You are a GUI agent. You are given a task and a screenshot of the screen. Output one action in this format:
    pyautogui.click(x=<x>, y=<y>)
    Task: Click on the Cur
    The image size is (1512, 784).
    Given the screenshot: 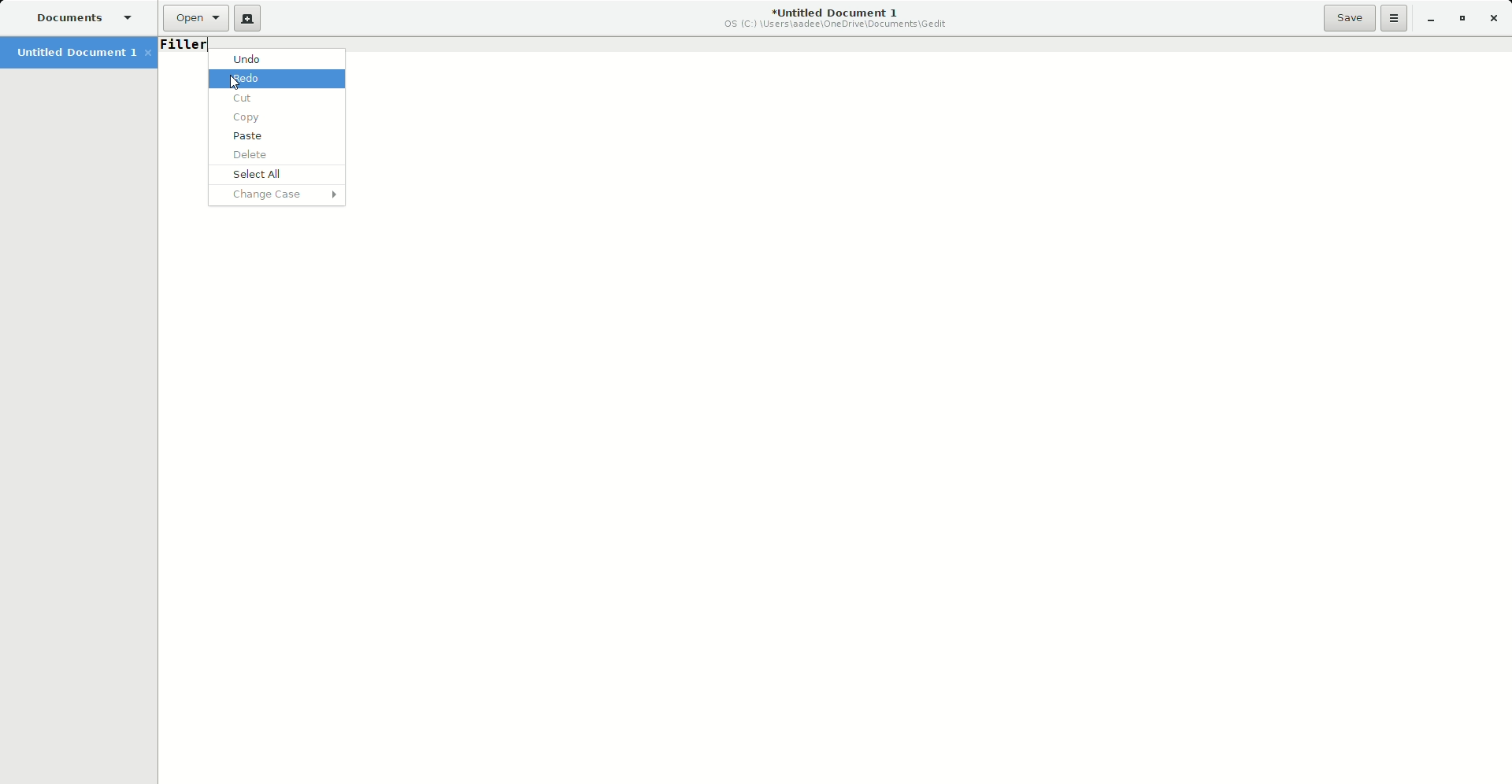 What is the action you would take?
    pyautogui.click(x=277, y=100)
    